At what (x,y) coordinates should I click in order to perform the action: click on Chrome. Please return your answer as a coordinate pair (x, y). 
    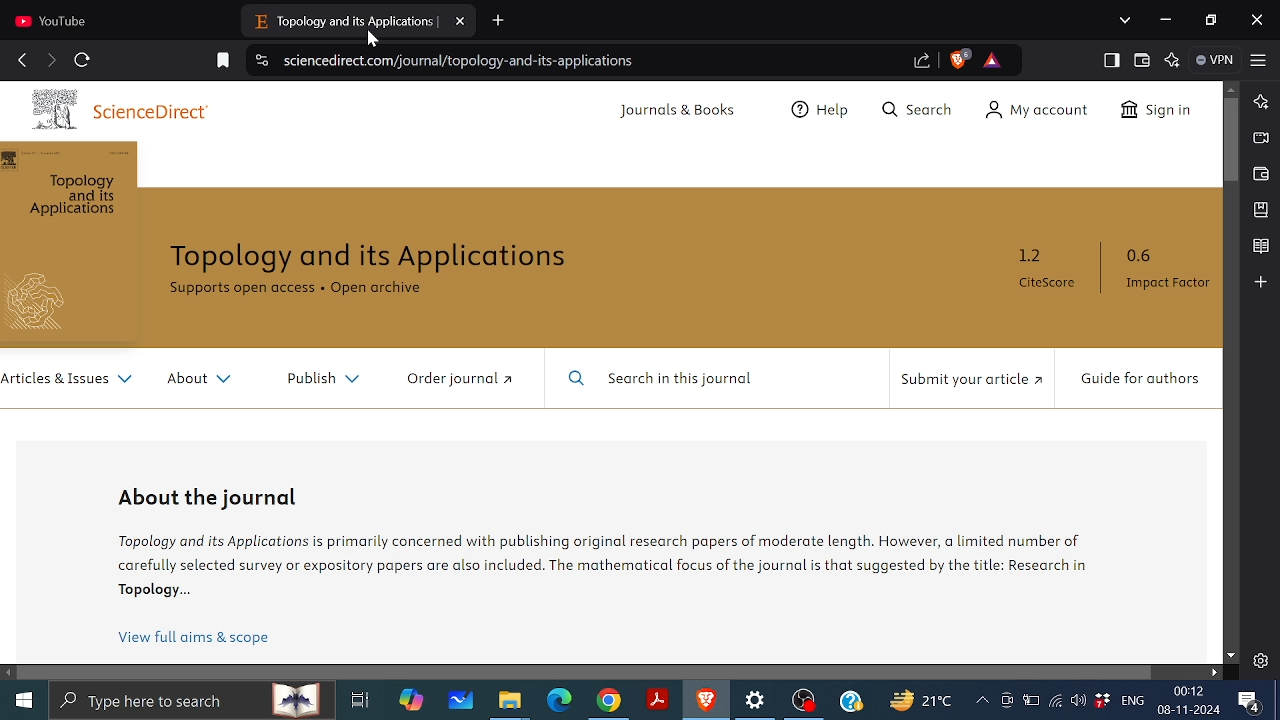
    Looking at the image, I should click on (609, 701).